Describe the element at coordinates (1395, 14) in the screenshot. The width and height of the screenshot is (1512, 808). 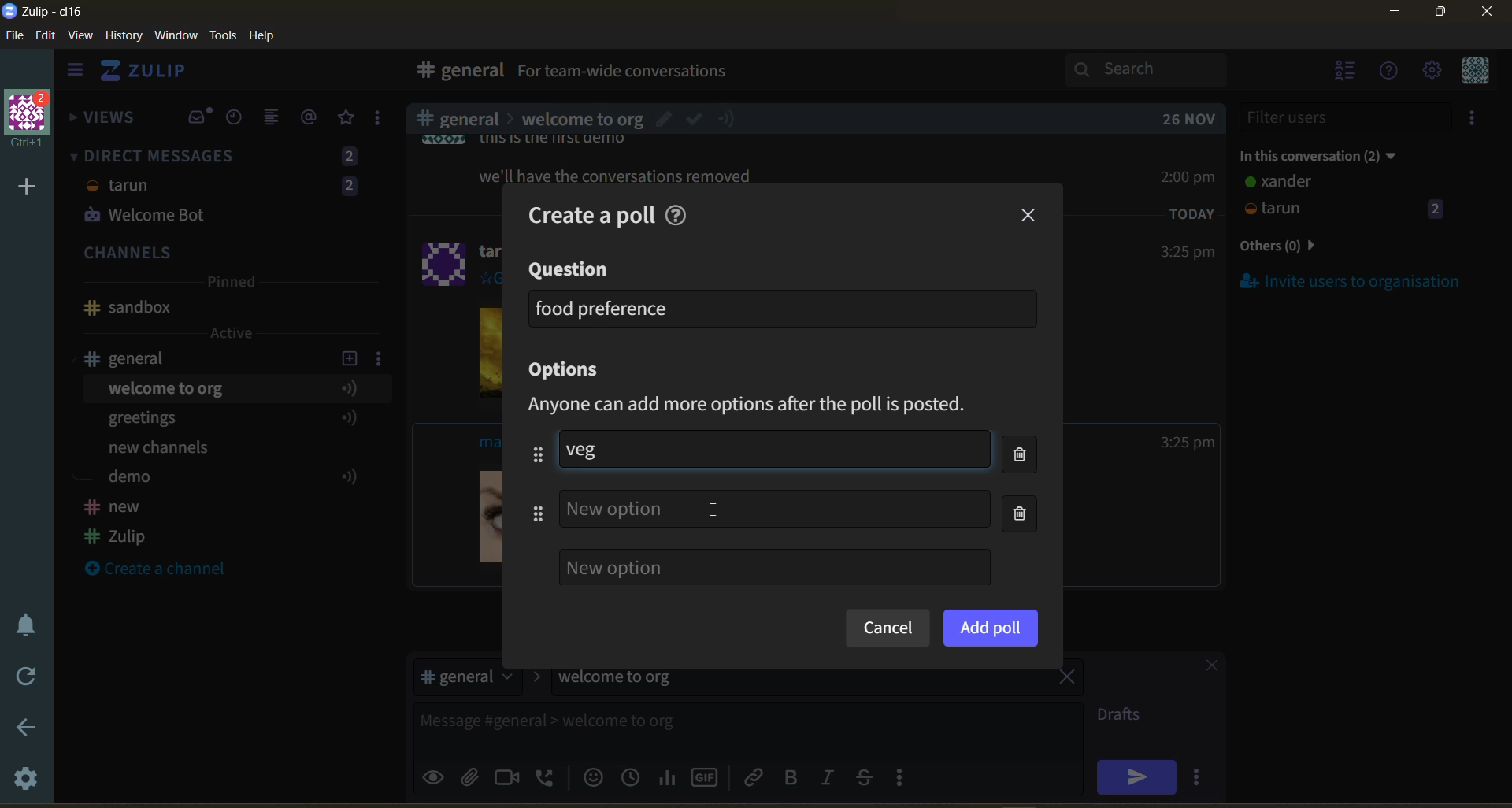
I see `minimize` at that location.